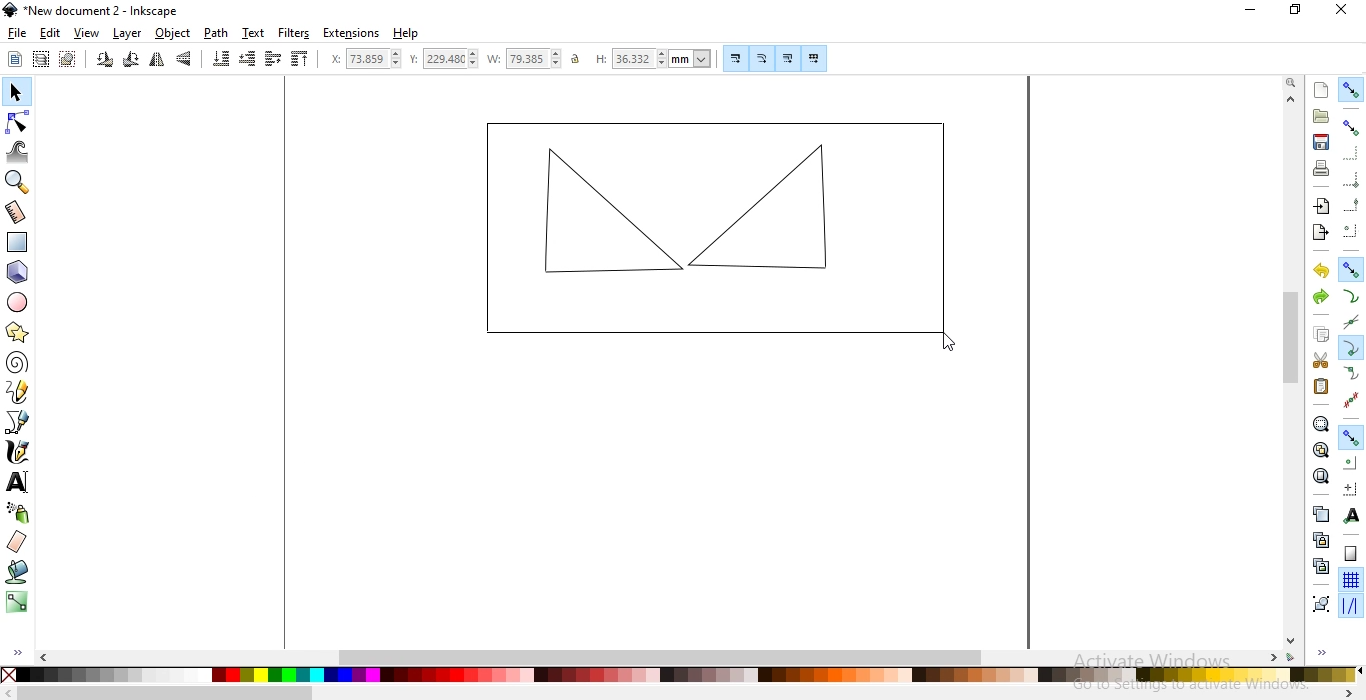 Image resolution: width=1366 pixels, height=700 pixels. Describe the element at coordinates (1350, 607) in the screenshot. I see `snap guide` at that location.